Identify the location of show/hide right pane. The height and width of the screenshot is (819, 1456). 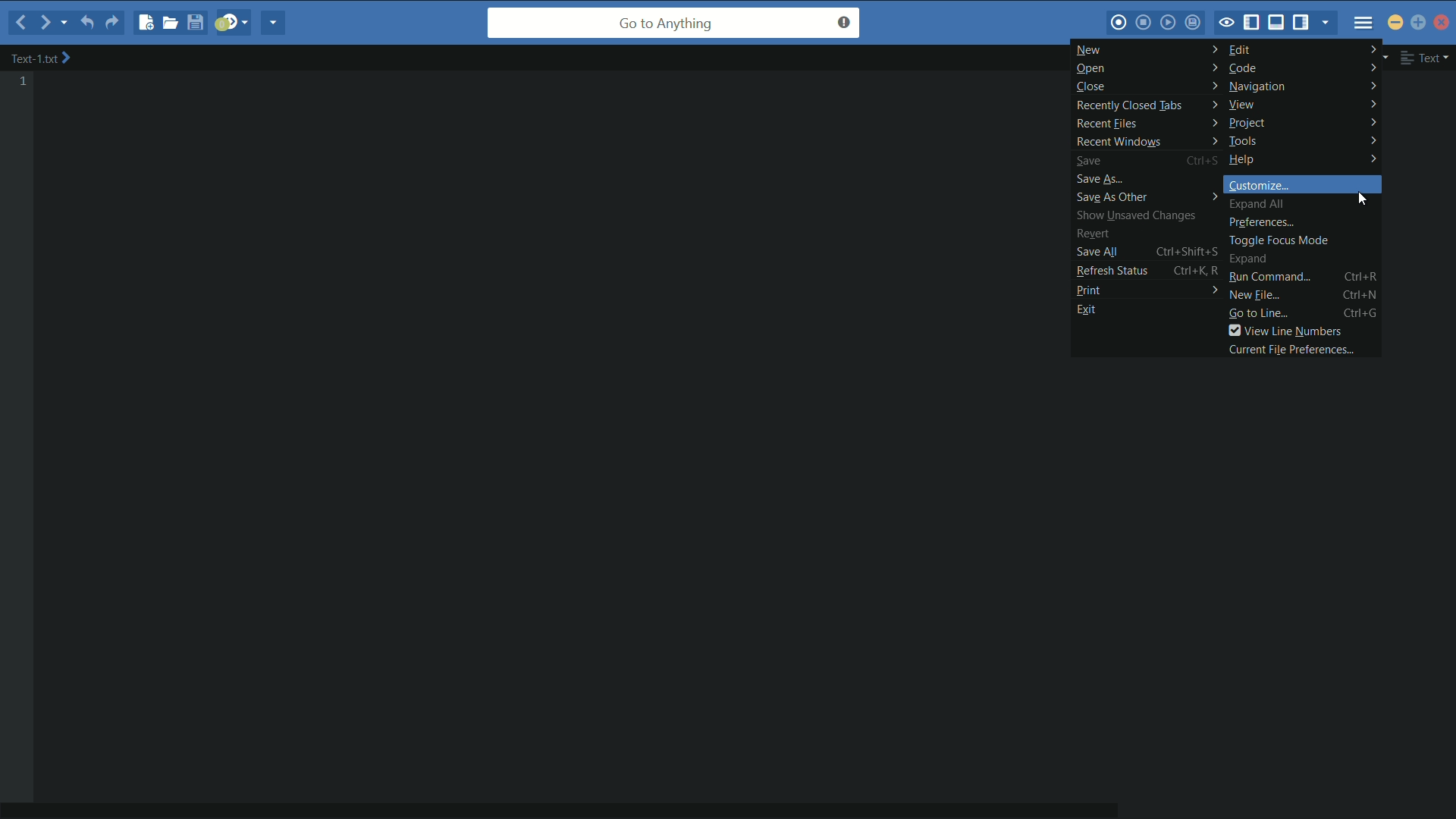
(1301, 23).